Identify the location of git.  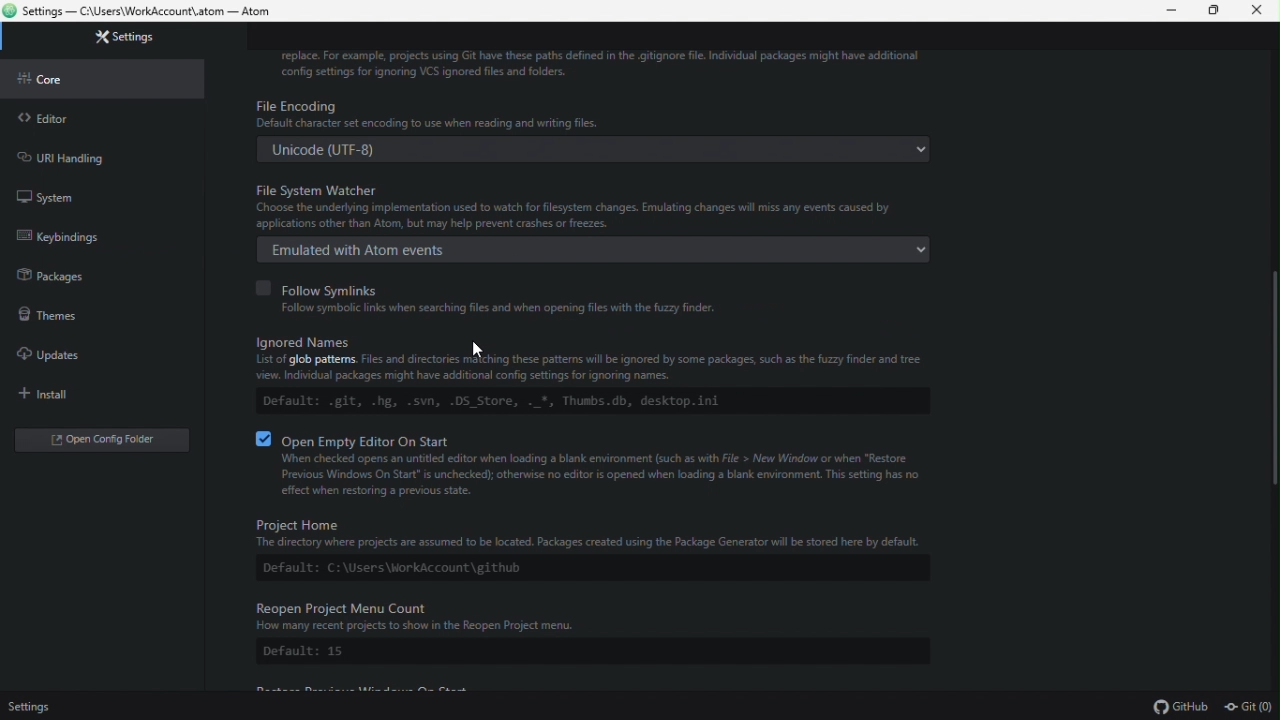
(1249, 708).